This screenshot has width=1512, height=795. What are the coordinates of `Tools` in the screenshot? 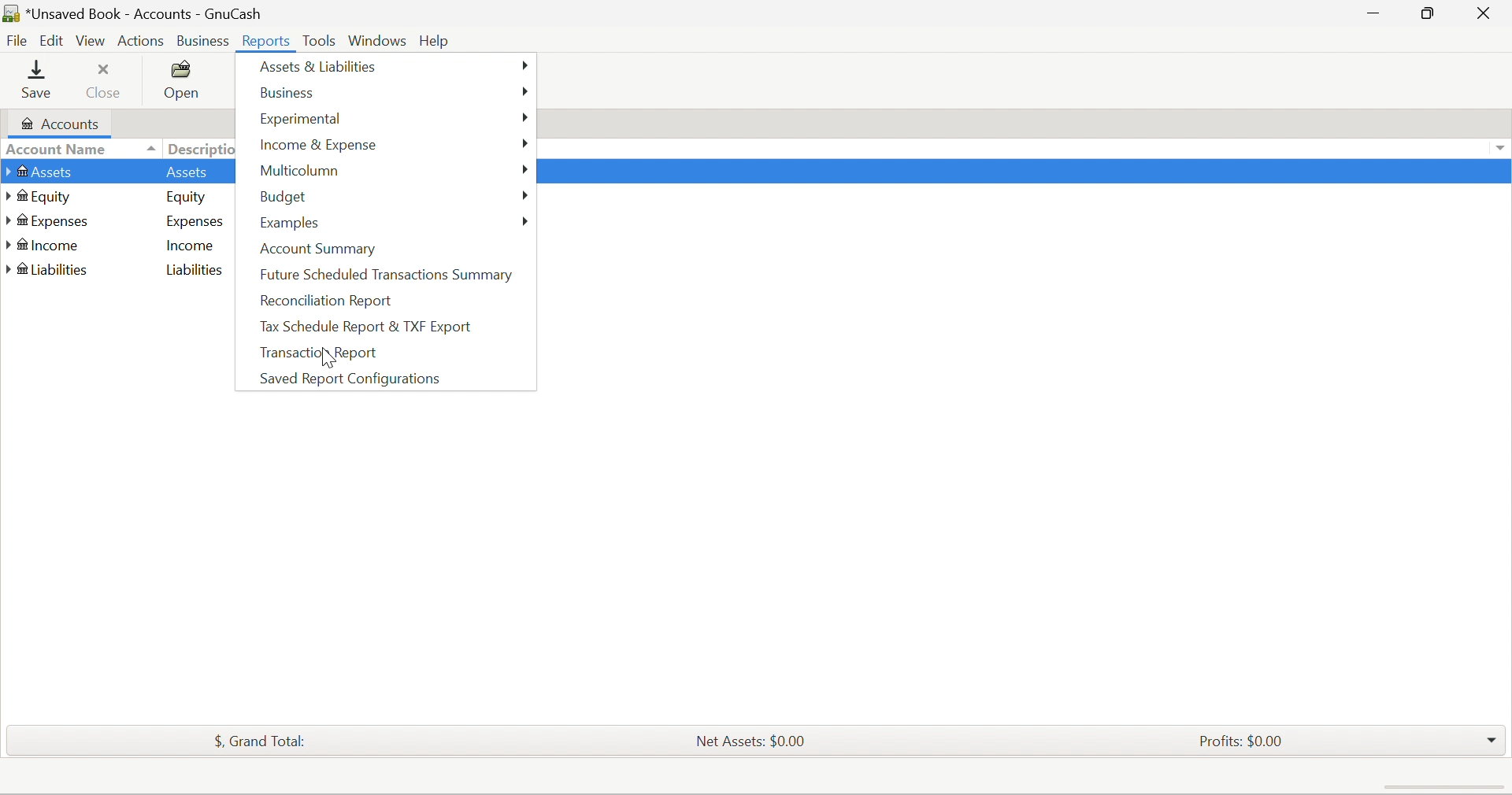 It's located at (318, 39).